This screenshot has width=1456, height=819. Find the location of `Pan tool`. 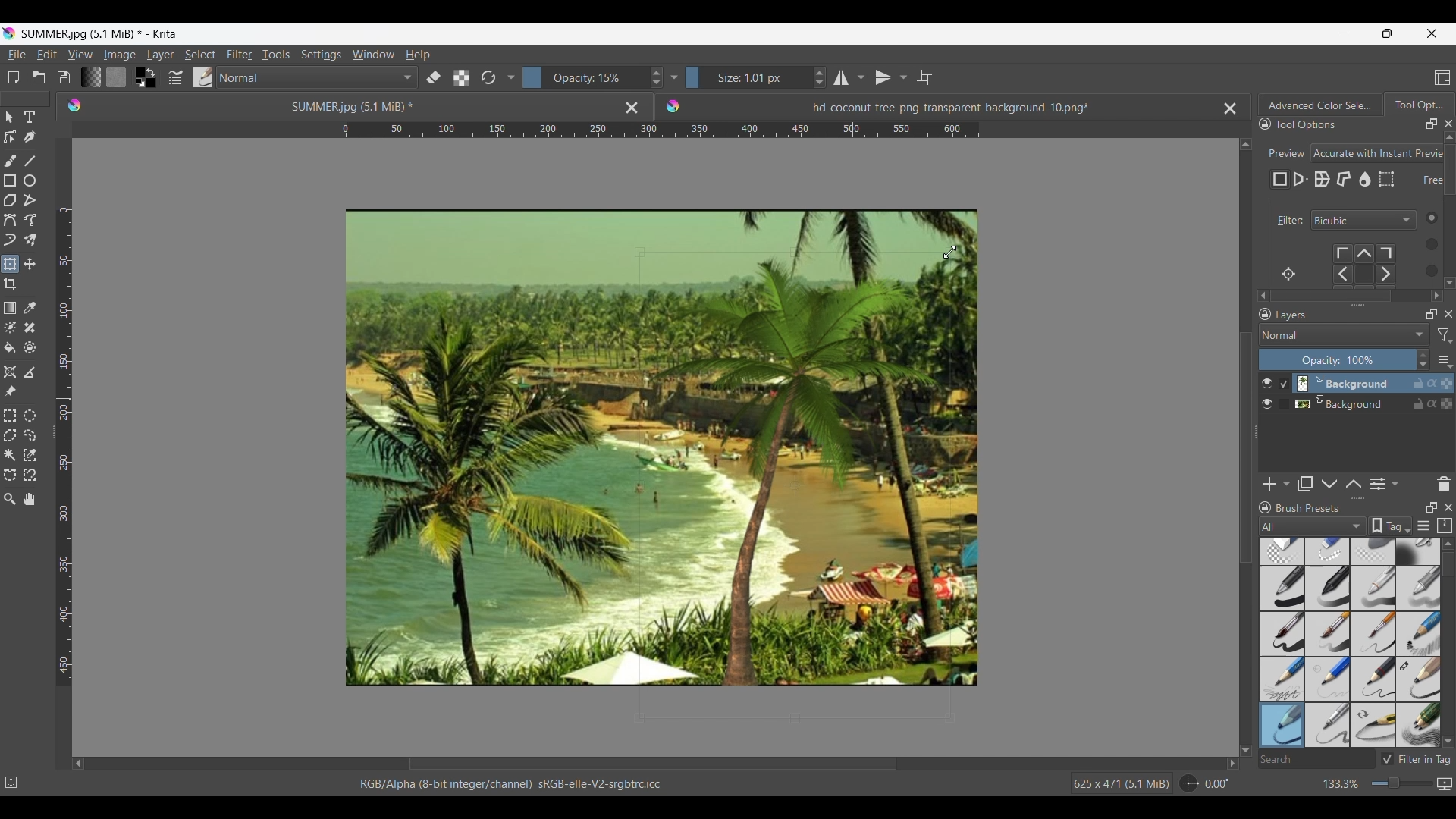

Pan tool is located at coordinates (30, 499).